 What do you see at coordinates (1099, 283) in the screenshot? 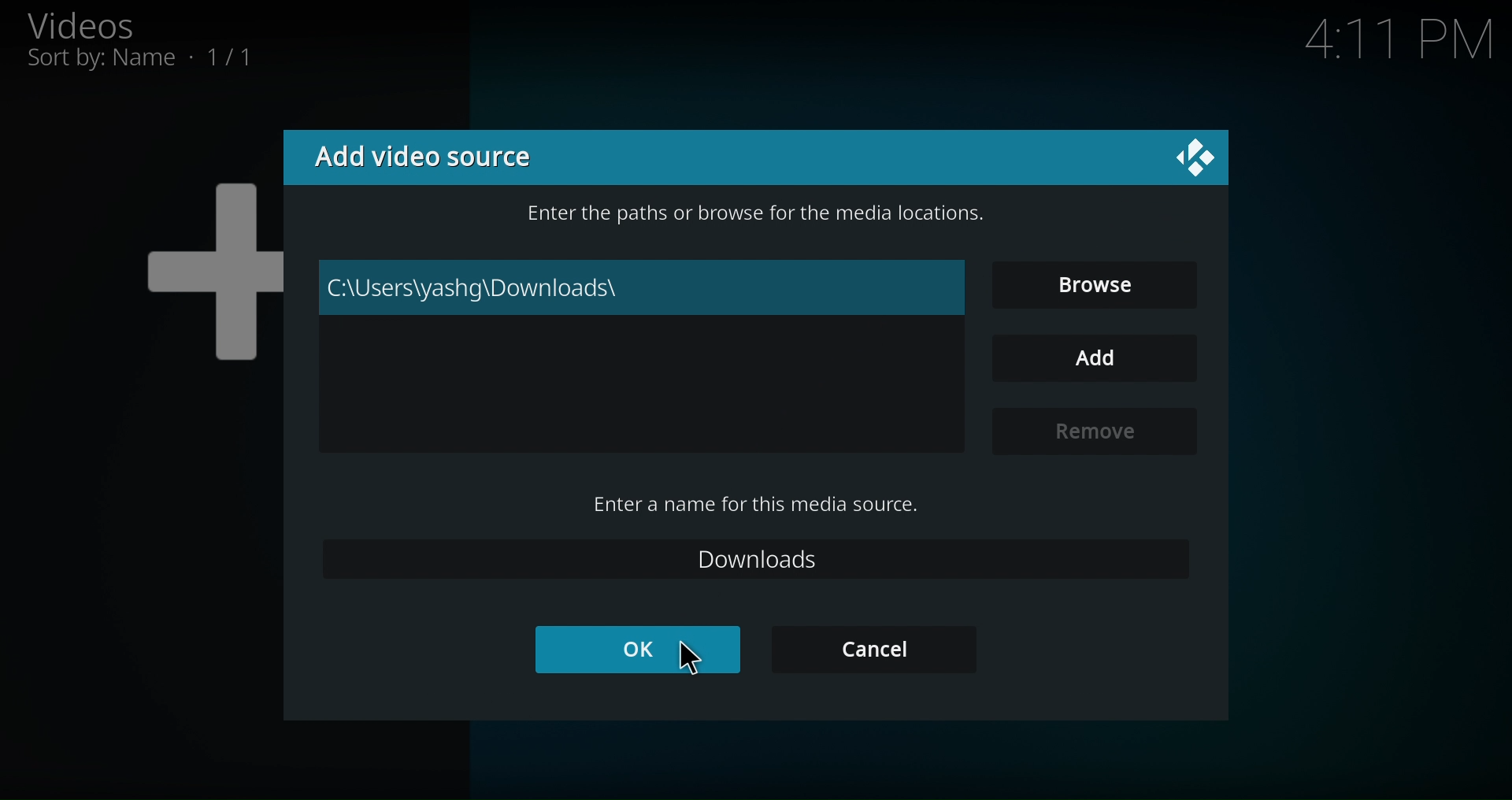
I see `Browser` at bounding box center [1099, 283].